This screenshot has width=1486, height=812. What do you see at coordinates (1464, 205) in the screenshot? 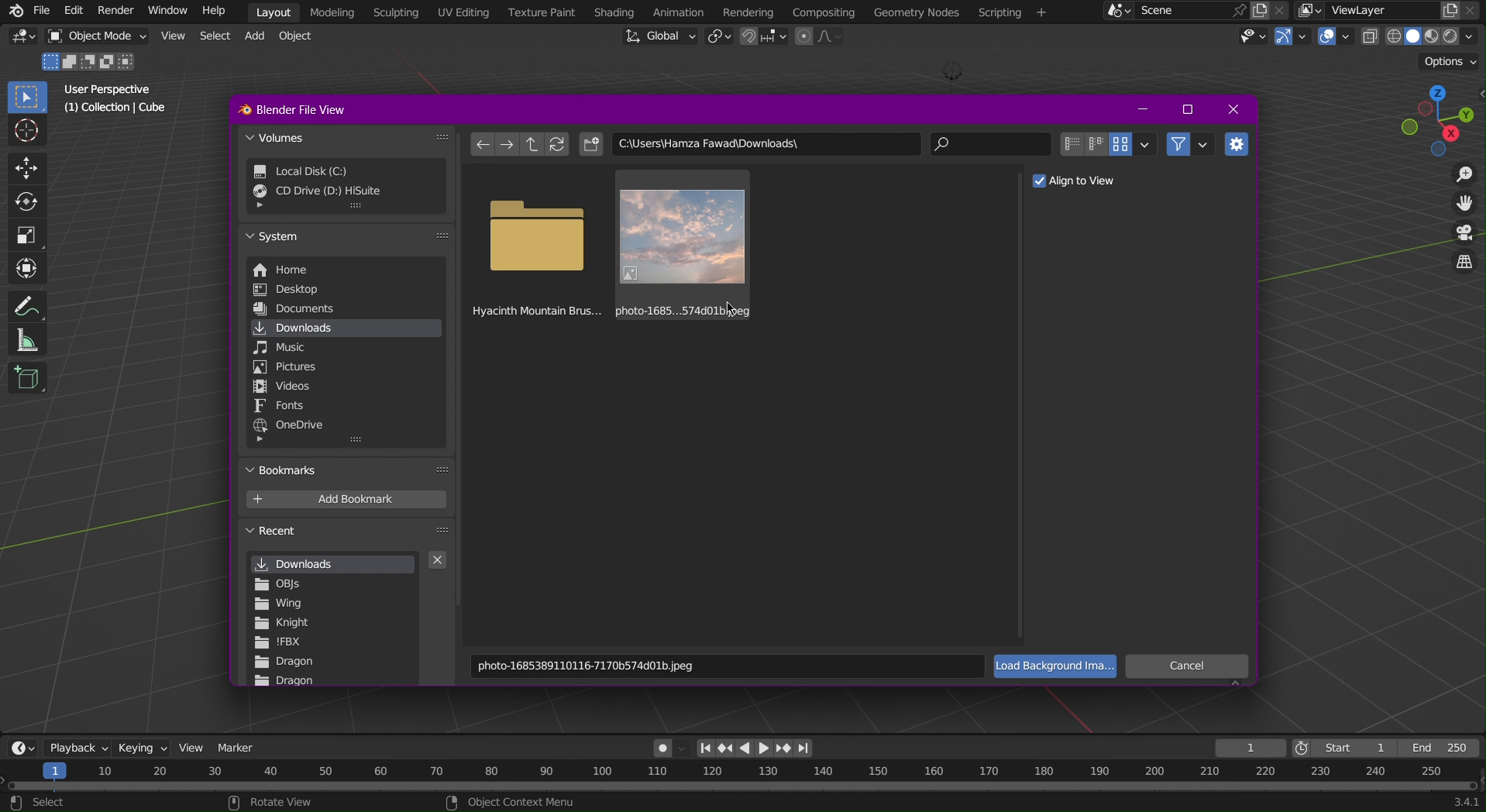
I see `Move View` at bounding box center [1464, 205].